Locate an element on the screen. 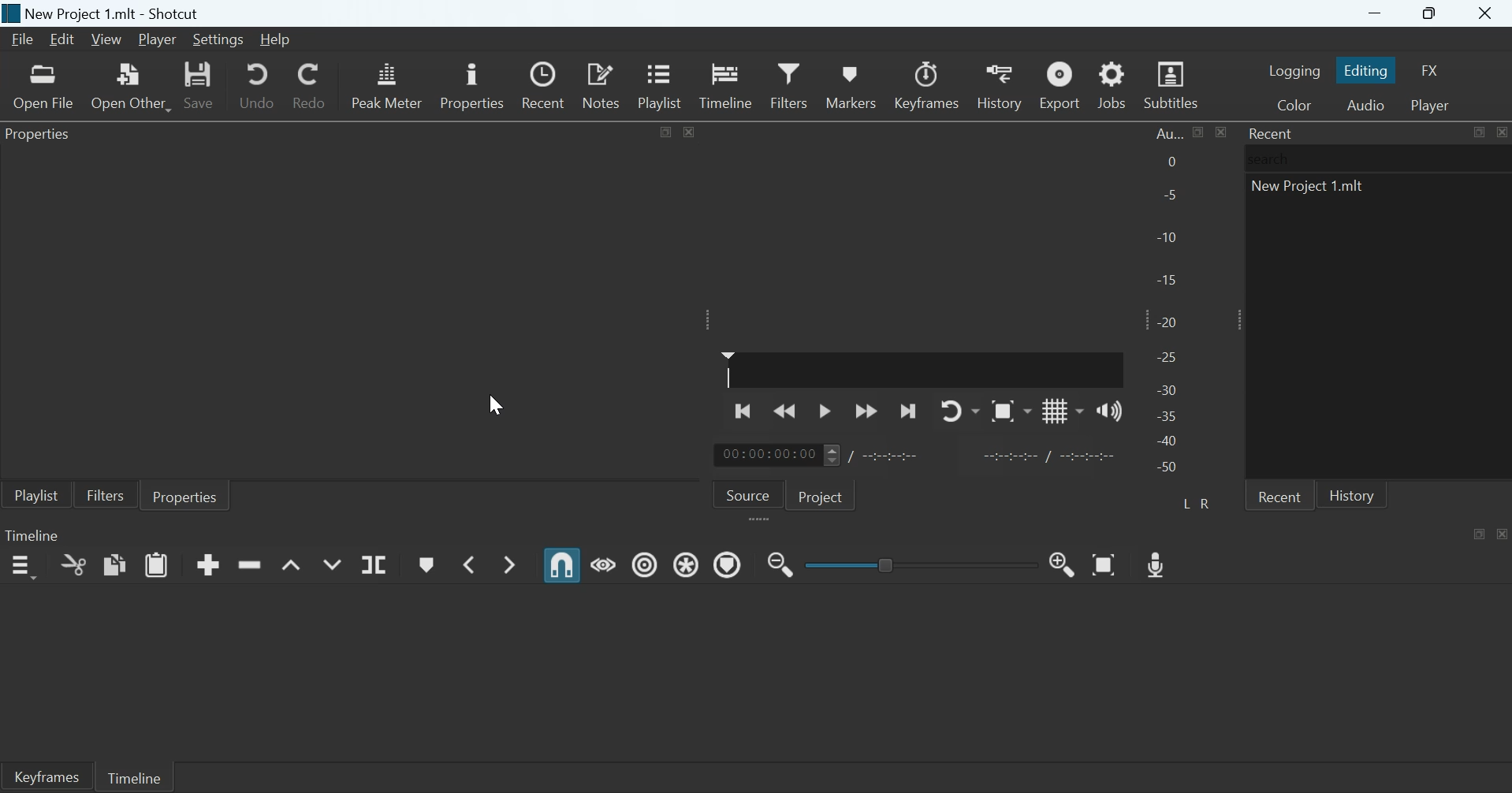  new project 1.mlt is located at coordinates (1312, 190).